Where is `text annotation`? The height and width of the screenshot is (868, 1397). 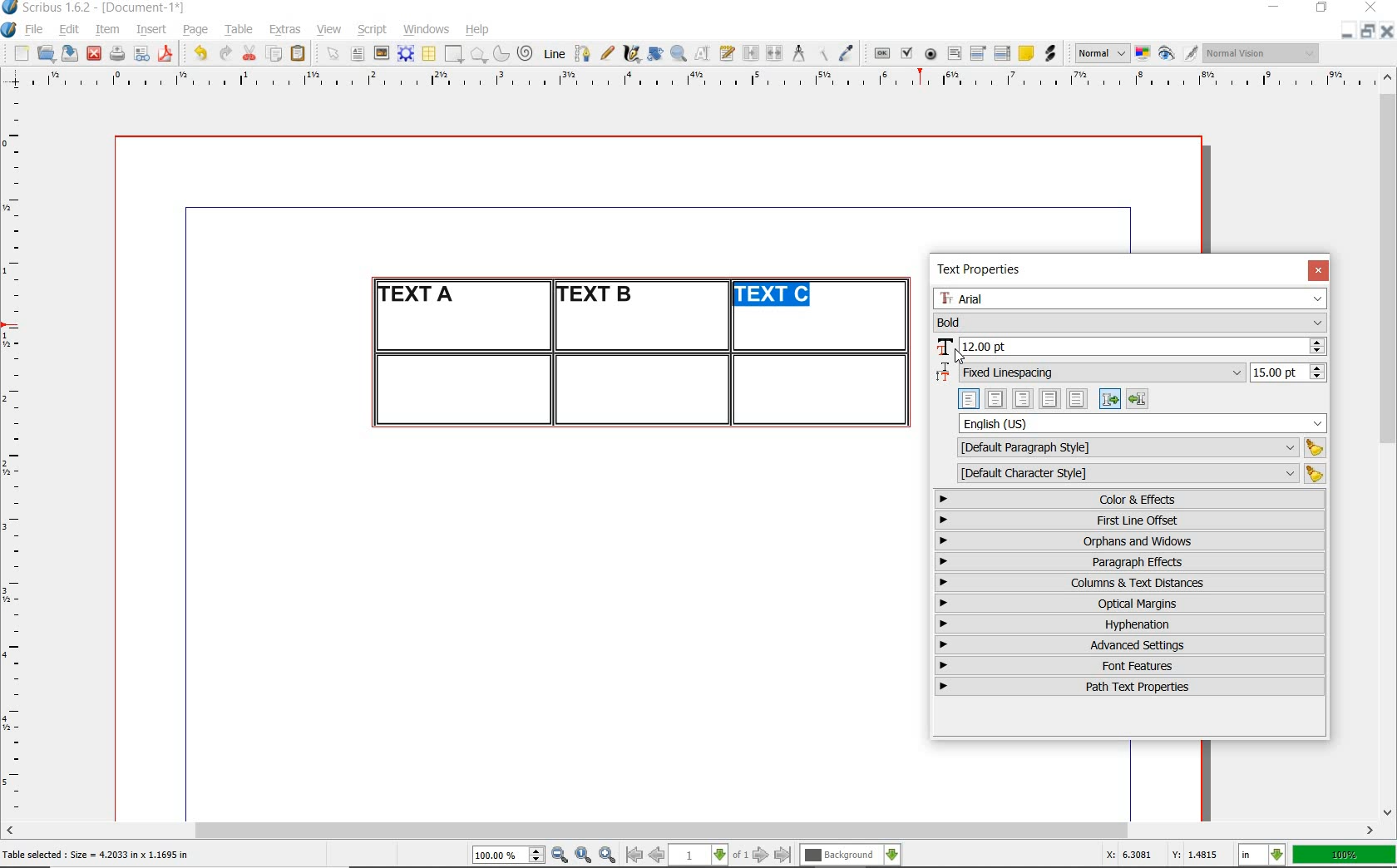
text annotation is located at coordinates (1025, 54).